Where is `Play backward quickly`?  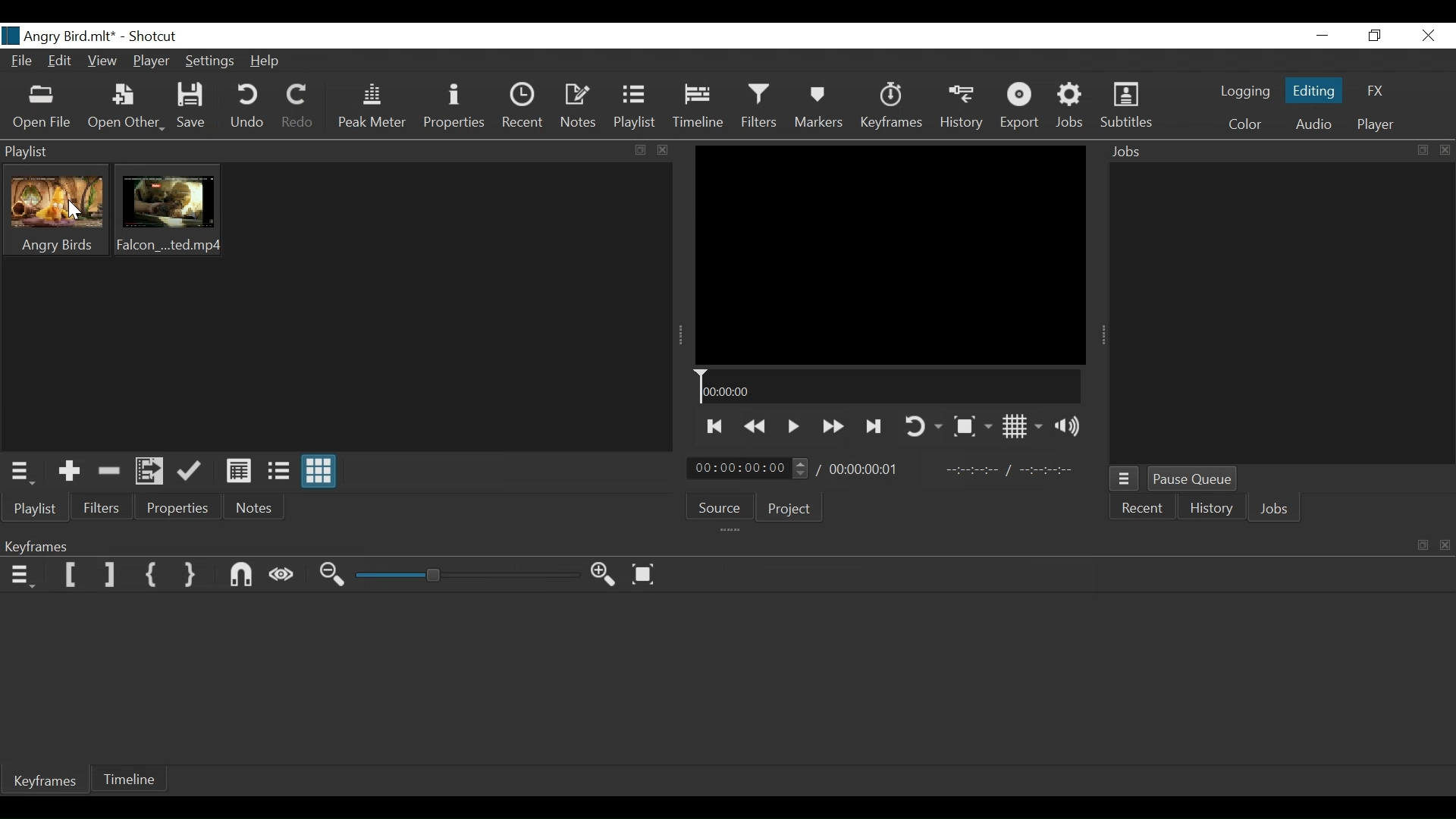
Play backward quickly is located at coordinates (755, 426).